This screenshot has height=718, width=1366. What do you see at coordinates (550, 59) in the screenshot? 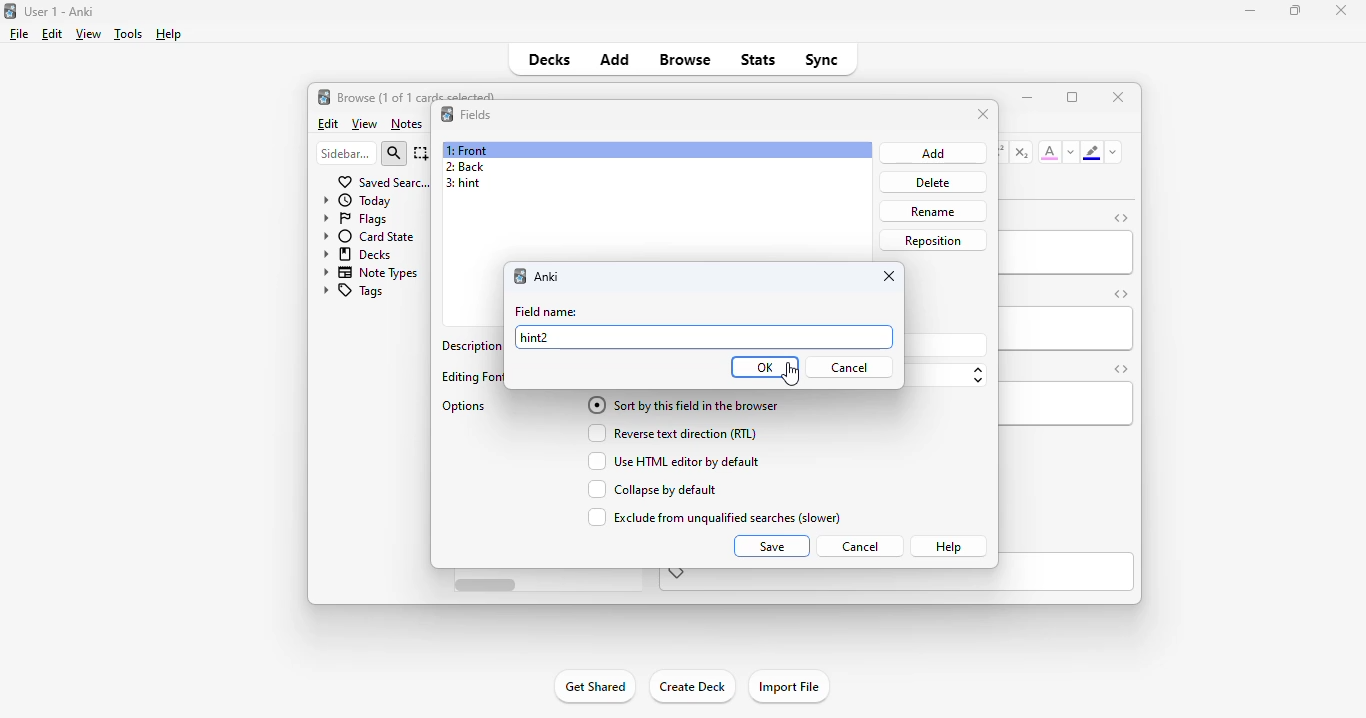
I see `decks` at bounding box center [550, 59].